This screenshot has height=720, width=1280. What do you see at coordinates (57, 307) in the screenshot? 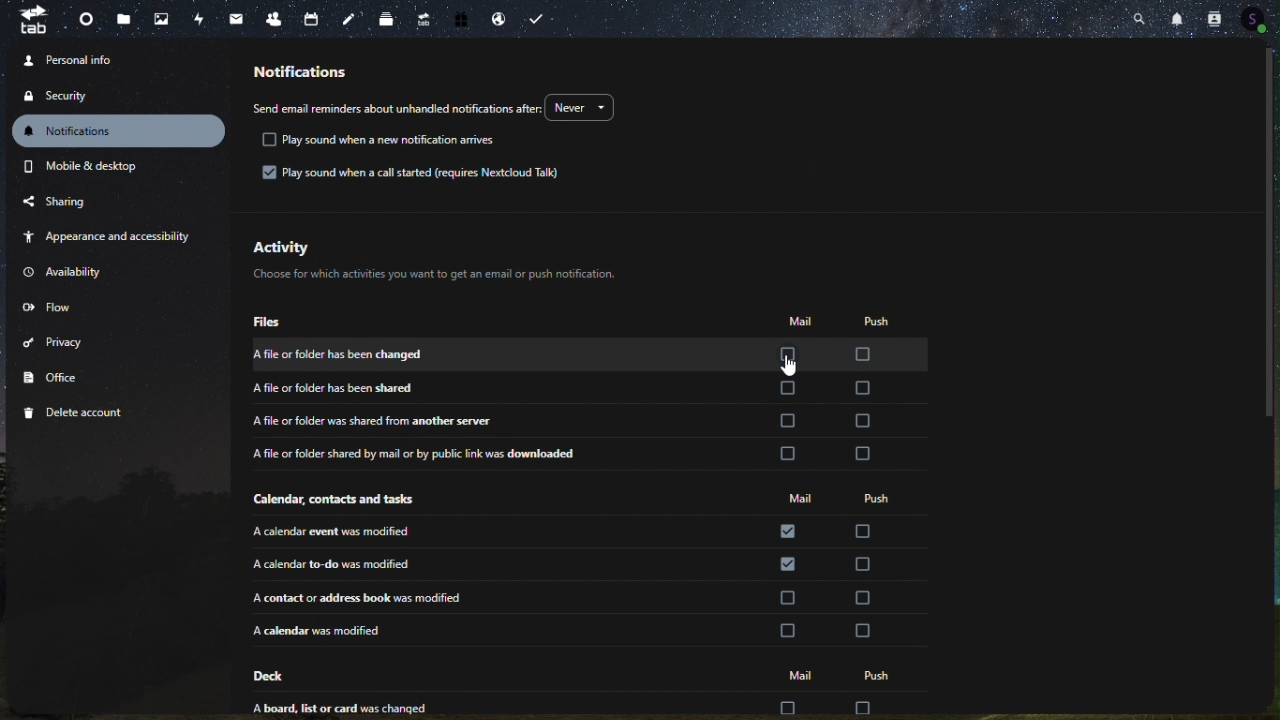
I see `flow` at bounding box center [57, 307].